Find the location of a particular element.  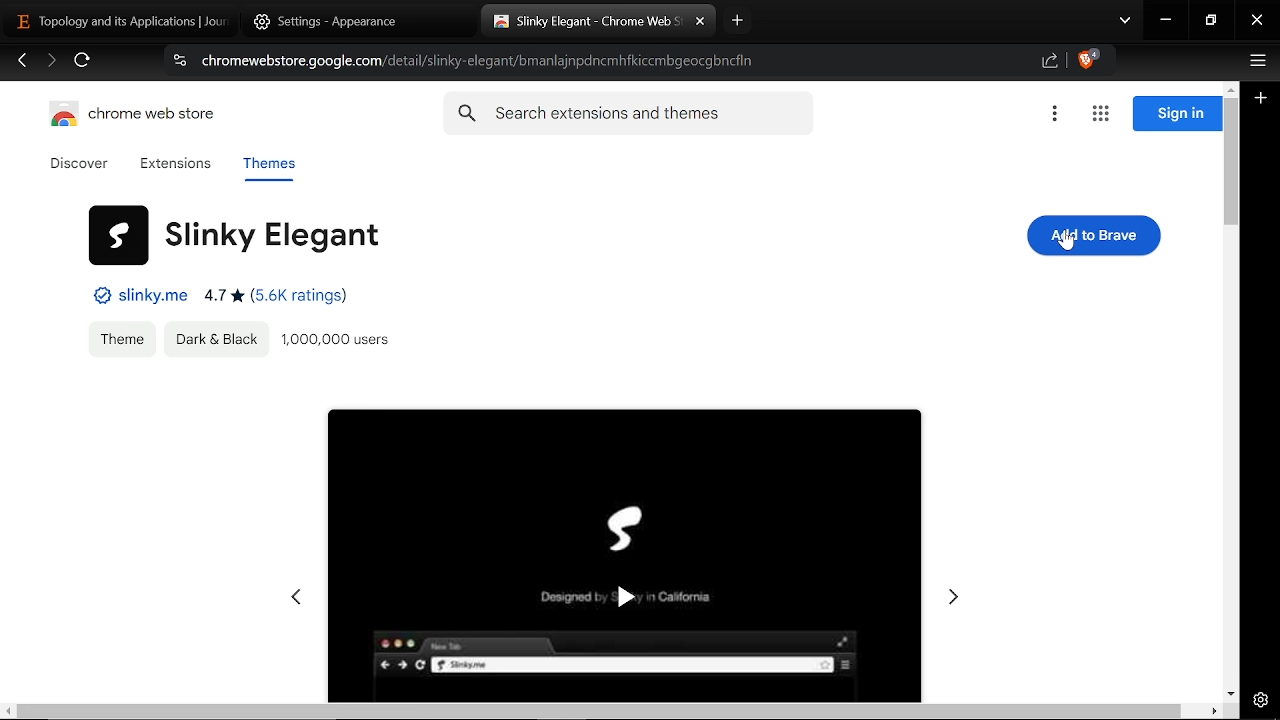

Current tab is located at coordinates (120, 20).